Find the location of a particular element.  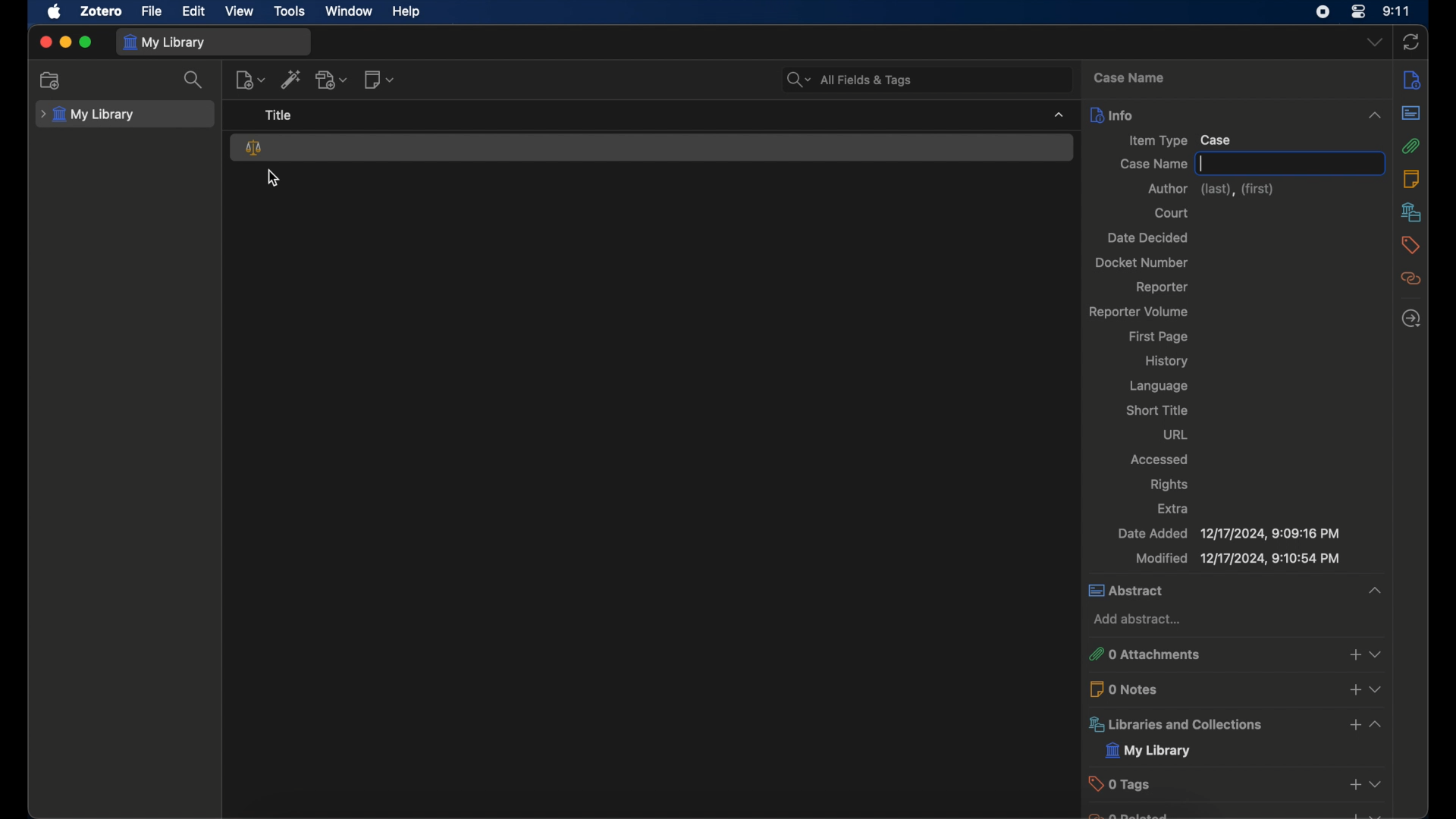

my library is located at coordinates (1147, 752).